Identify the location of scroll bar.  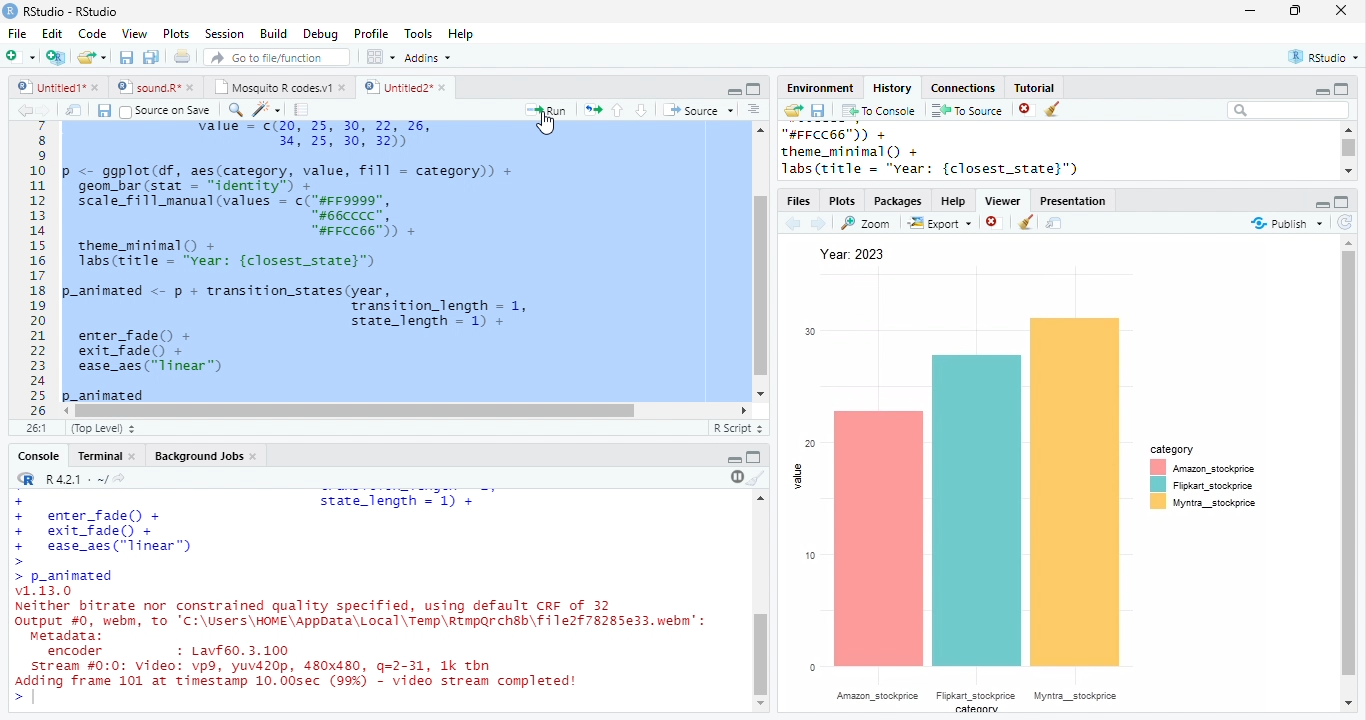
(761, 654).